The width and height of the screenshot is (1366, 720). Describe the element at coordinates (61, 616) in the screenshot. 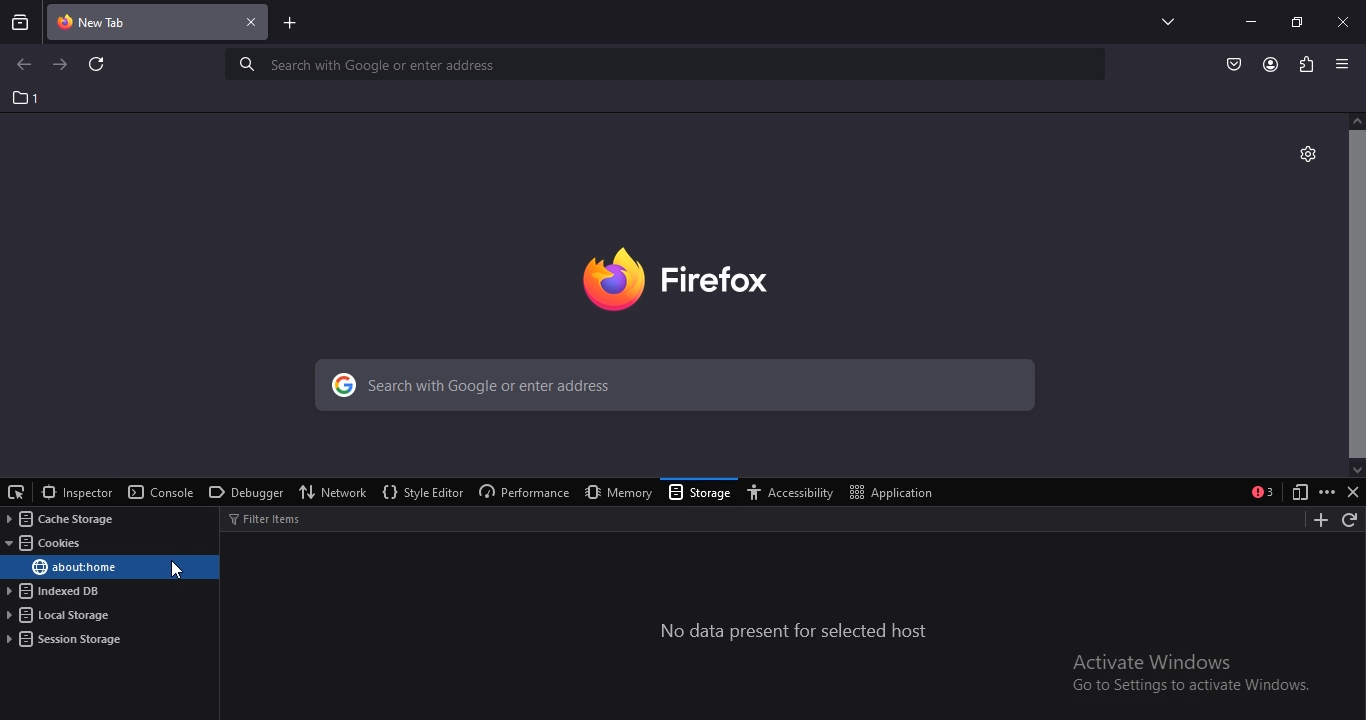

I see `local storage` at that location.